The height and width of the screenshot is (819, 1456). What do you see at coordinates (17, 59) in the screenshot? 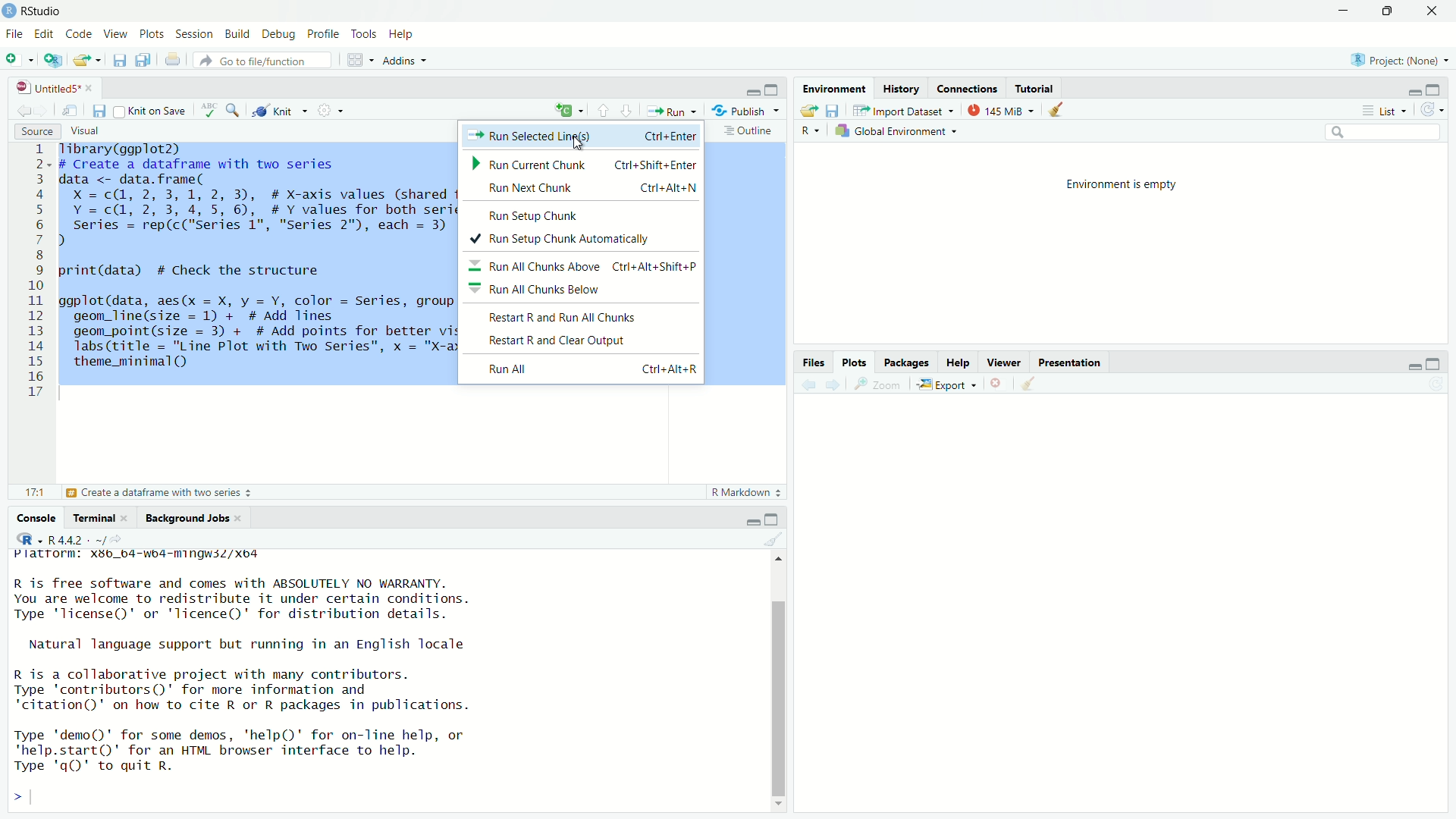
I see `New file` at bounding box center [17, 59].